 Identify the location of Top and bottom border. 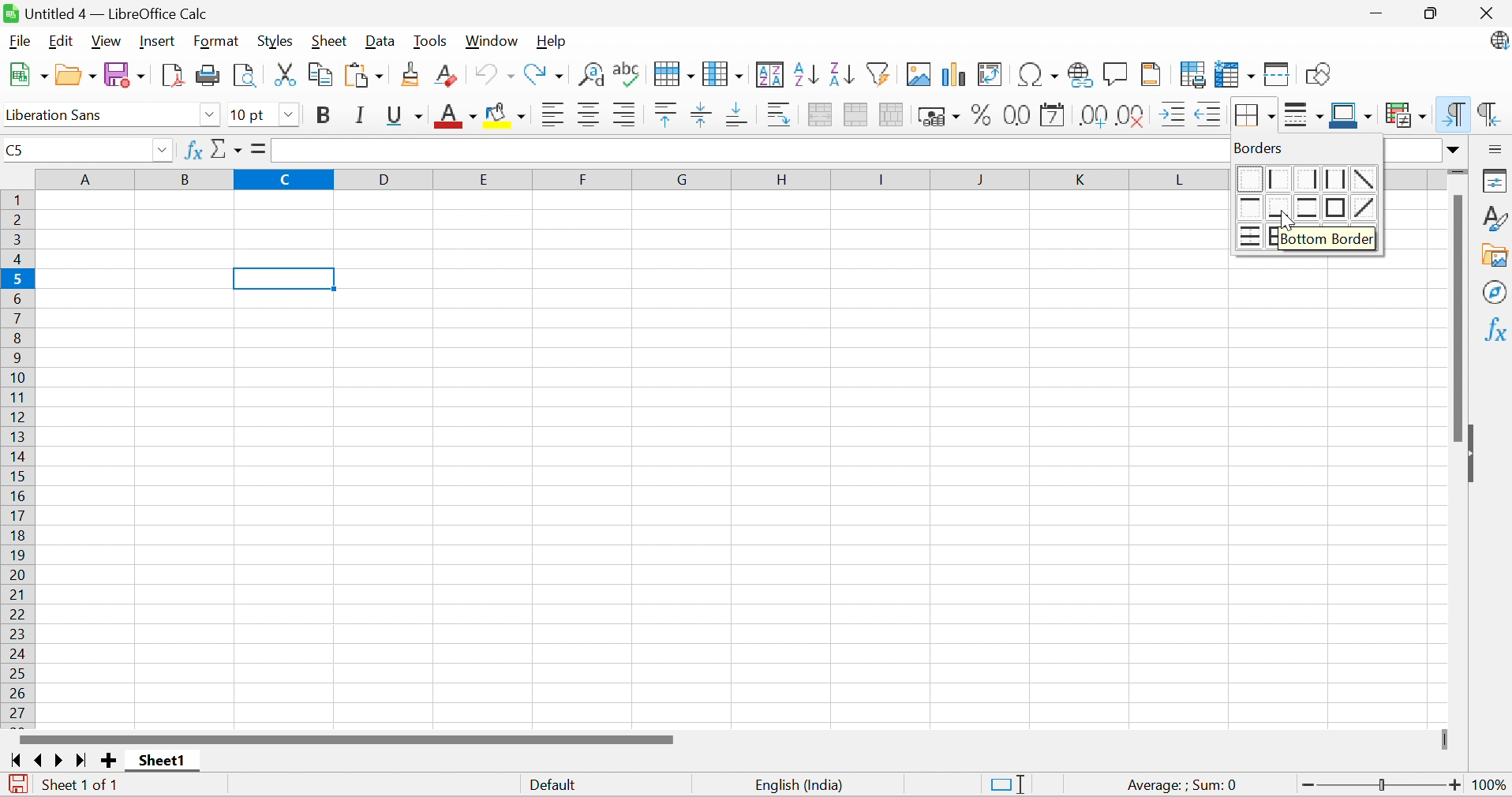
(1310, 208).